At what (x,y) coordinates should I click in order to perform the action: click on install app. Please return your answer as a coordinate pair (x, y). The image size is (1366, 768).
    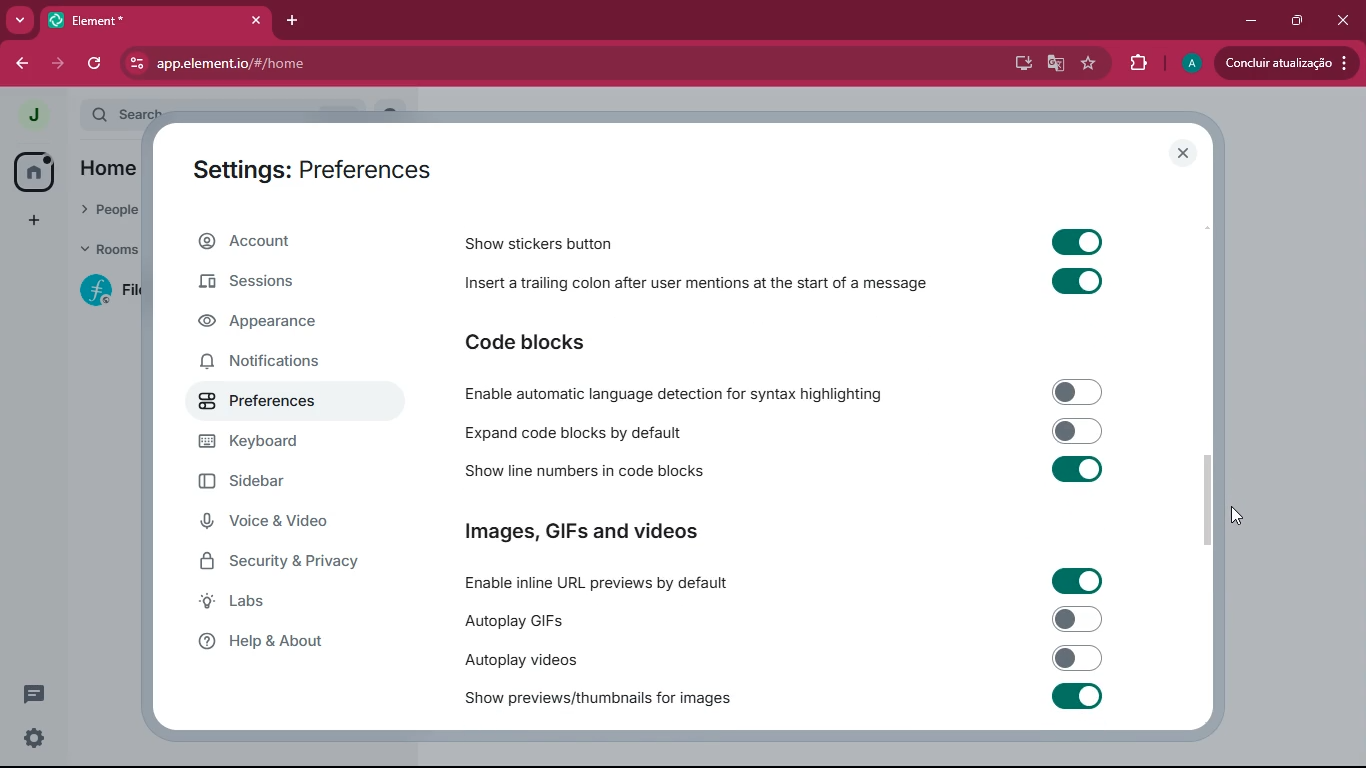
    Looking at the image, I should click on (1016, 61).